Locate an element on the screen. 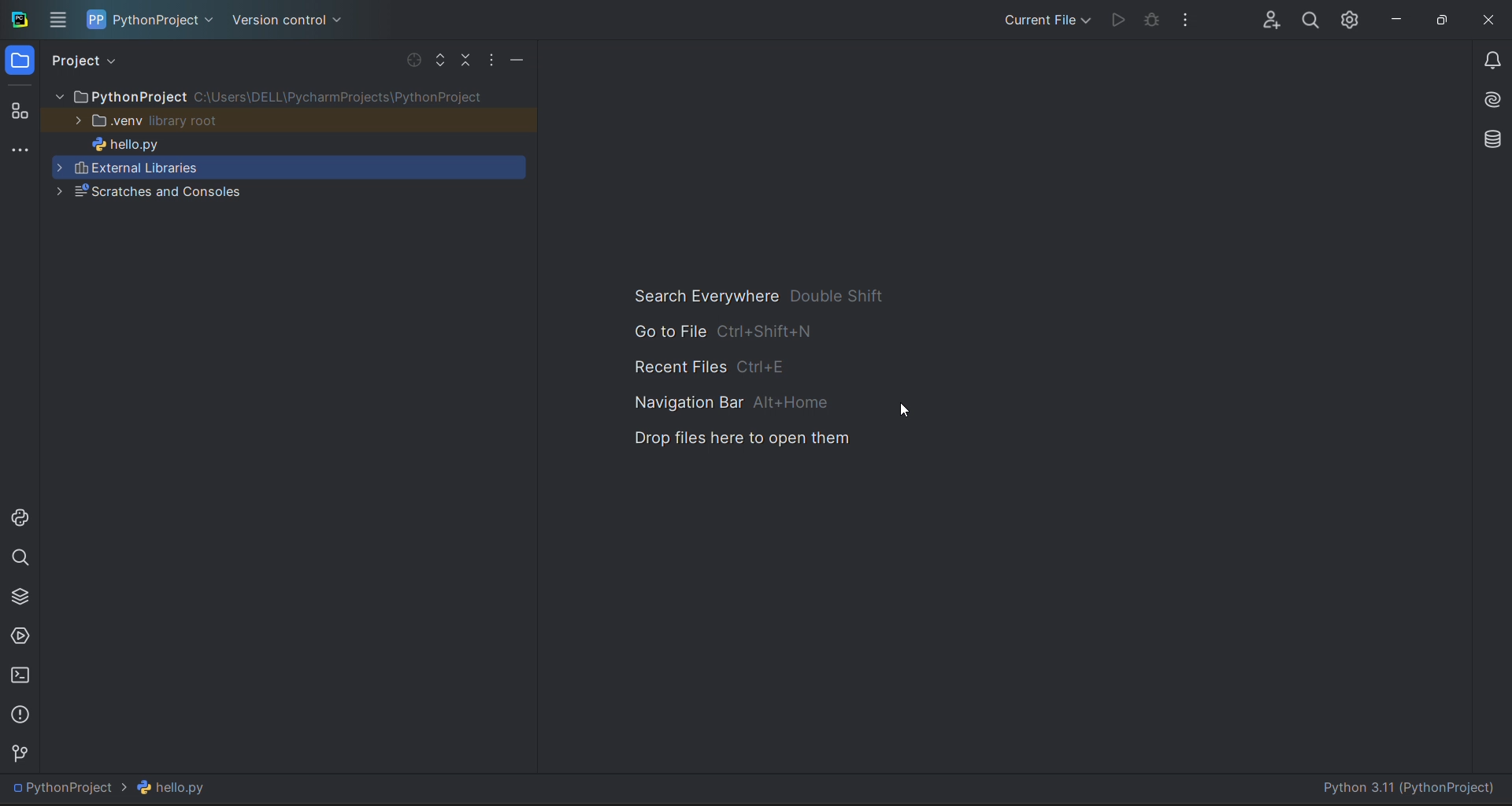 This screenshot has height=806, width=1512. hello.py is located at coordinates (286, 143).